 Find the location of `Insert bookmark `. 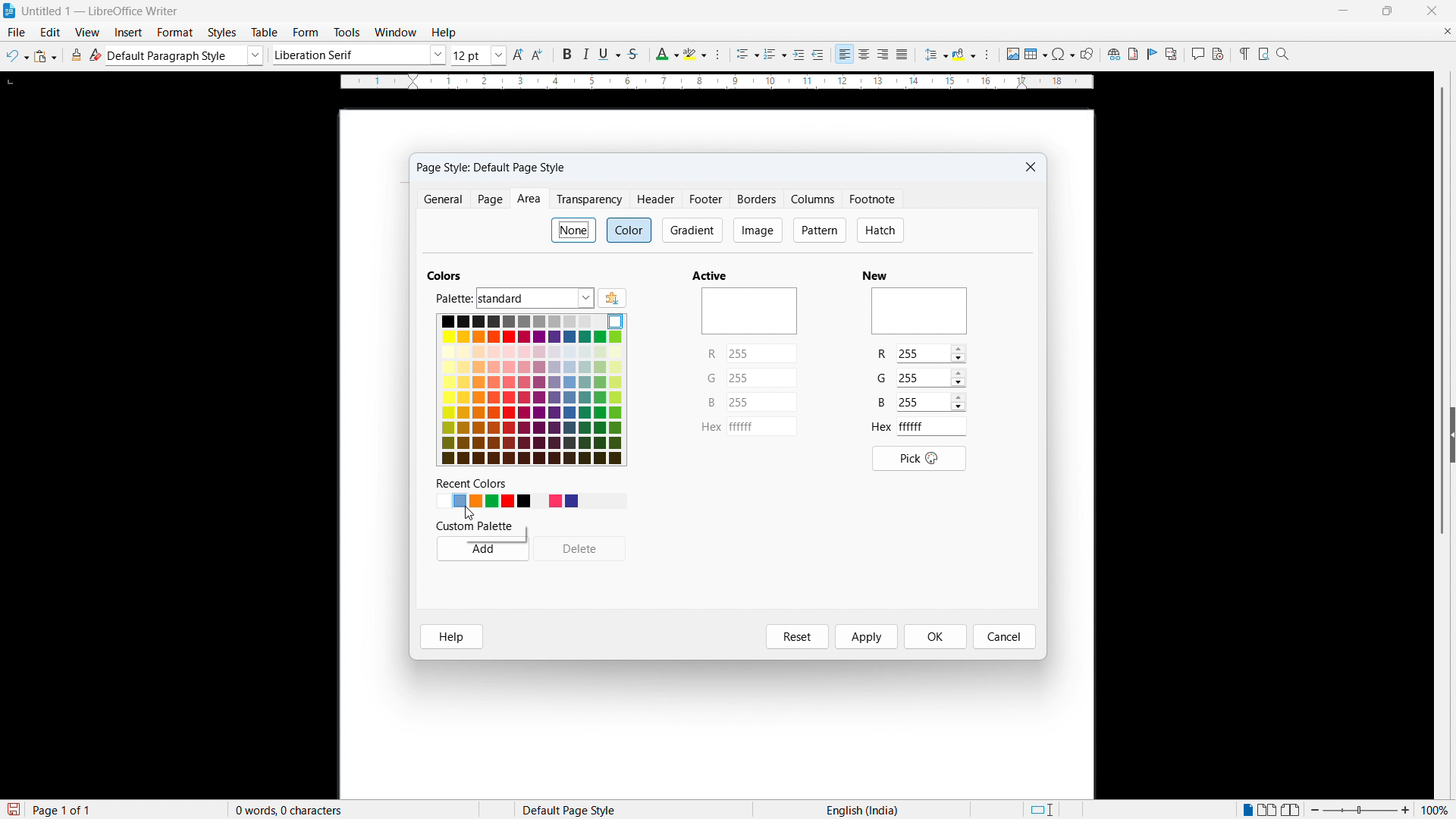

Insert bookmark  is located at coordinates (1153, 53).